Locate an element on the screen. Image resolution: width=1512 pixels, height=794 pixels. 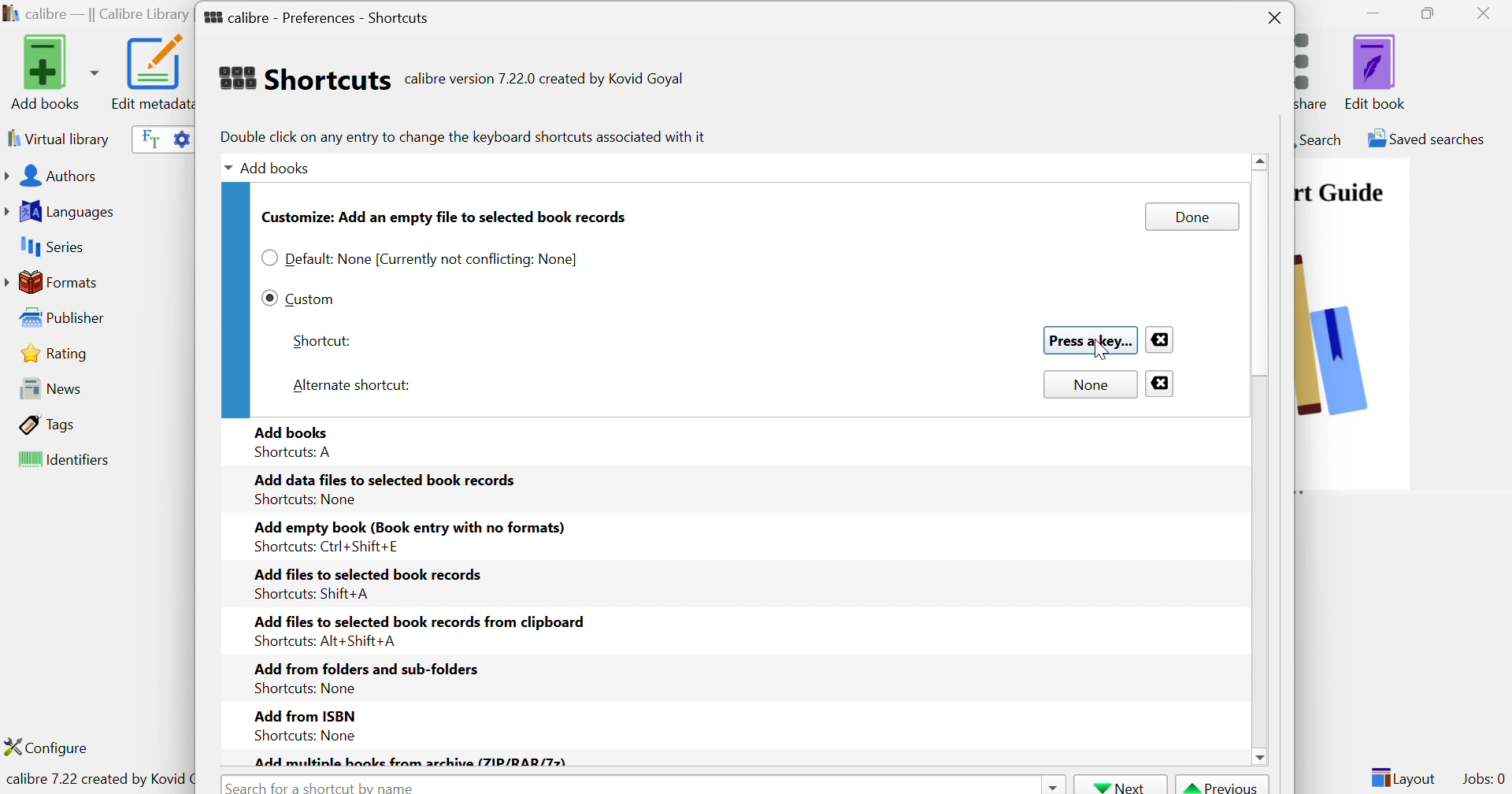
Add files to selected book records from clipboard is located at coordinates (423, 621).